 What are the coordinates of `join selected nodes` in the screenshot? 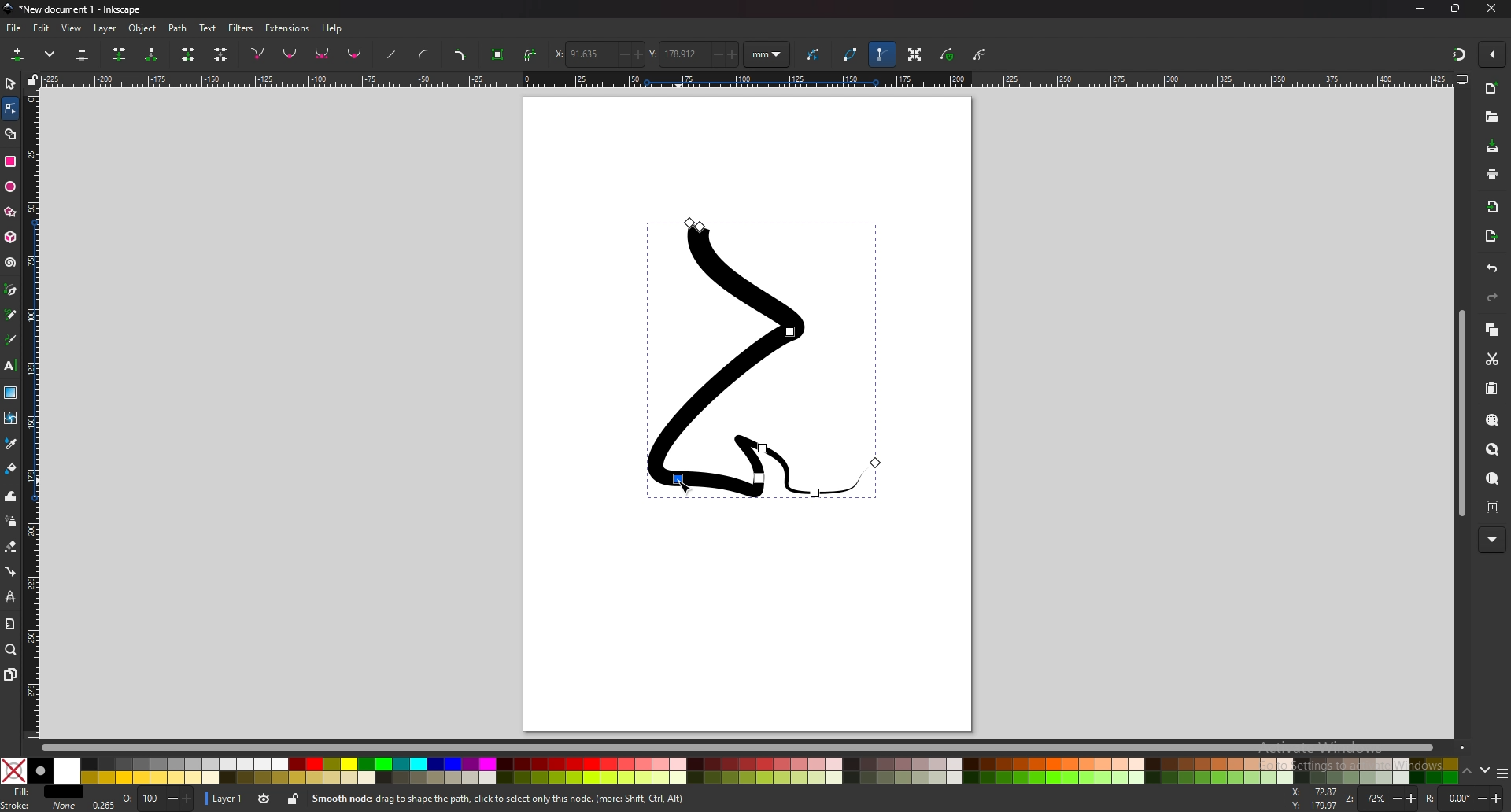 It's located at (120, 54).